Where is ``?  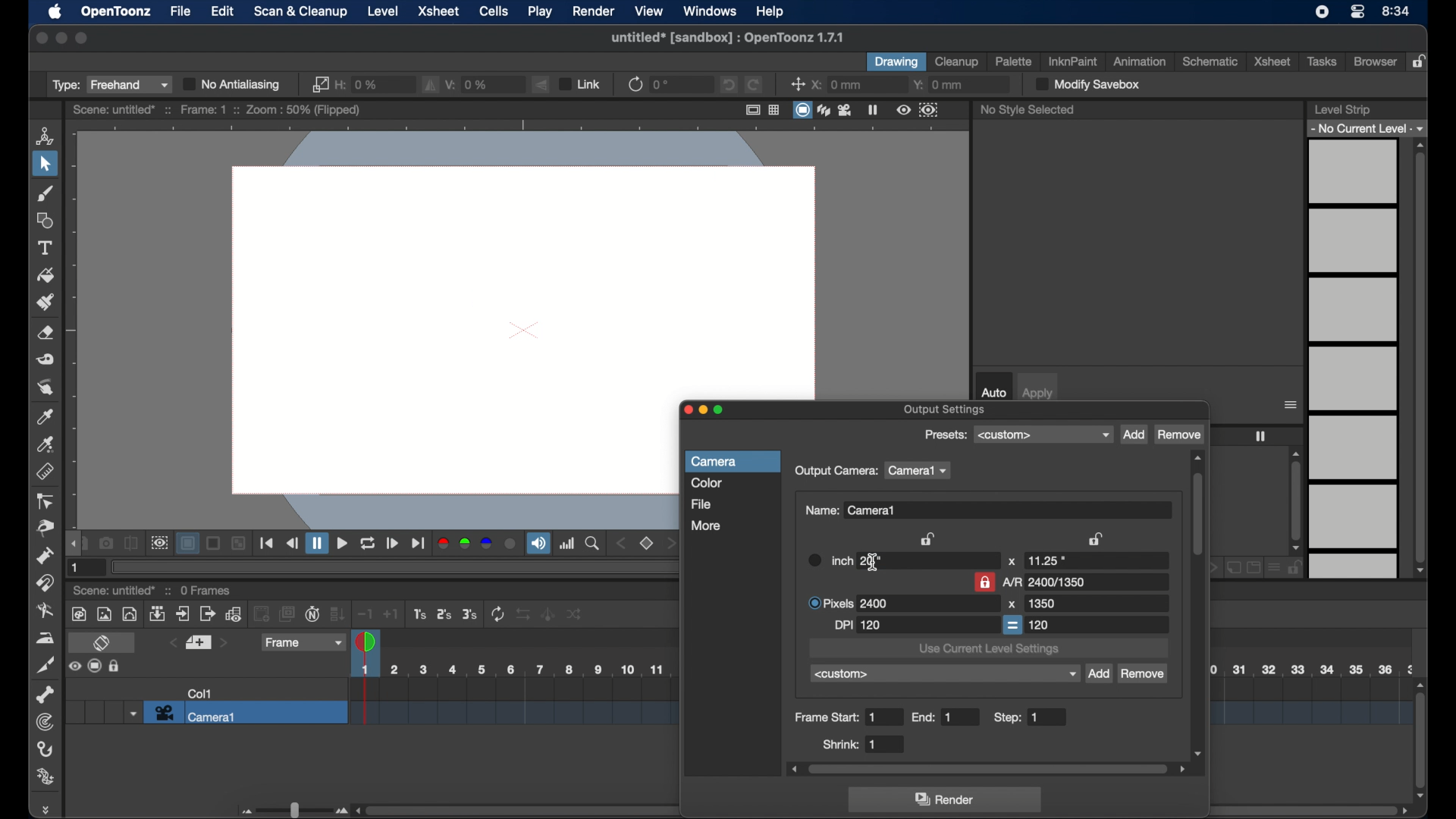  is located at coordinates (215, 544).